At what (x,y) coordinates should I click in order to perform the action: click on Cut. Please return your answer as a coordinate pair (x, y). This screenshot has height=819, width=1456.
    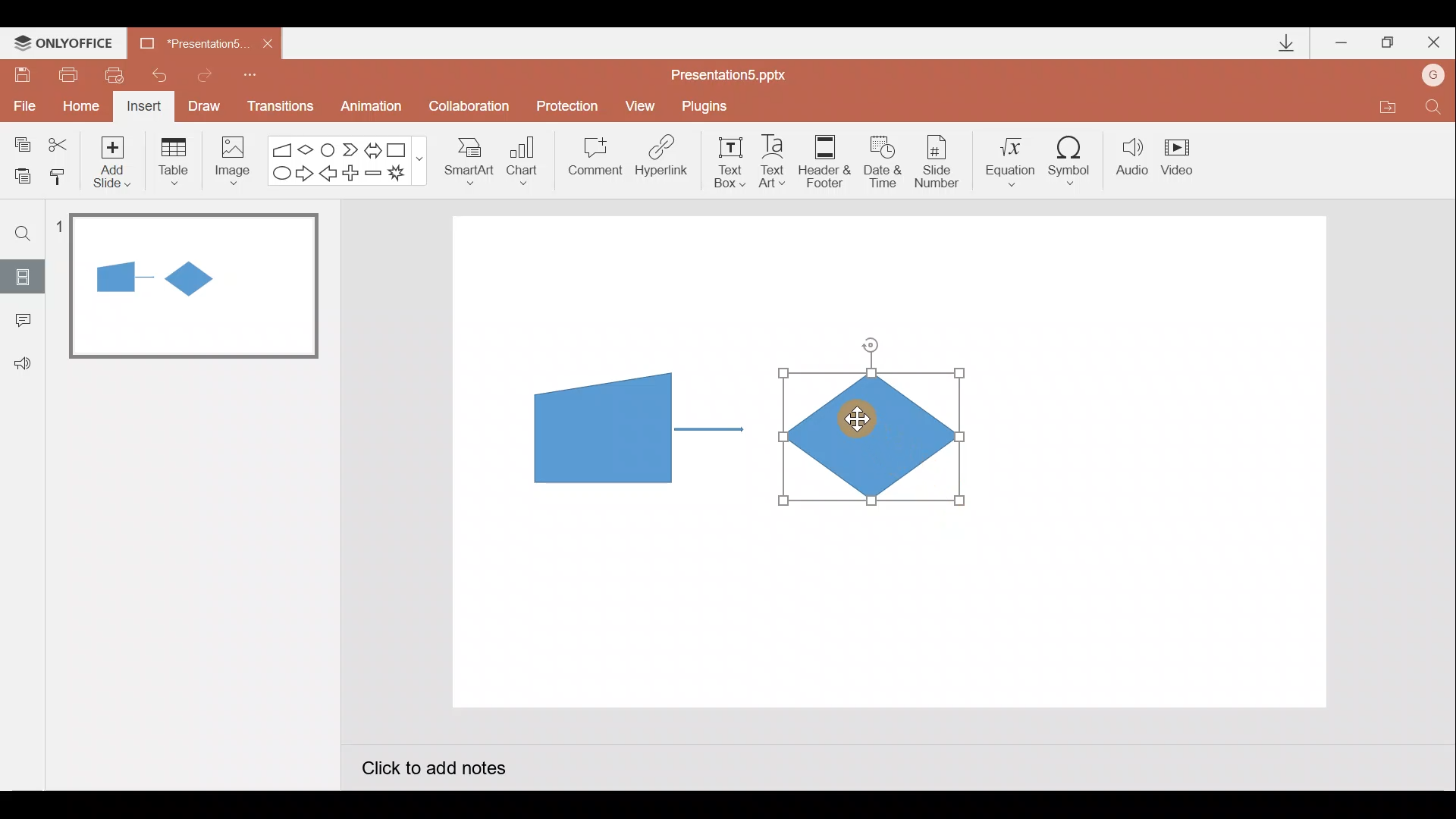
    Looking at the image, I should click on (61, 142).